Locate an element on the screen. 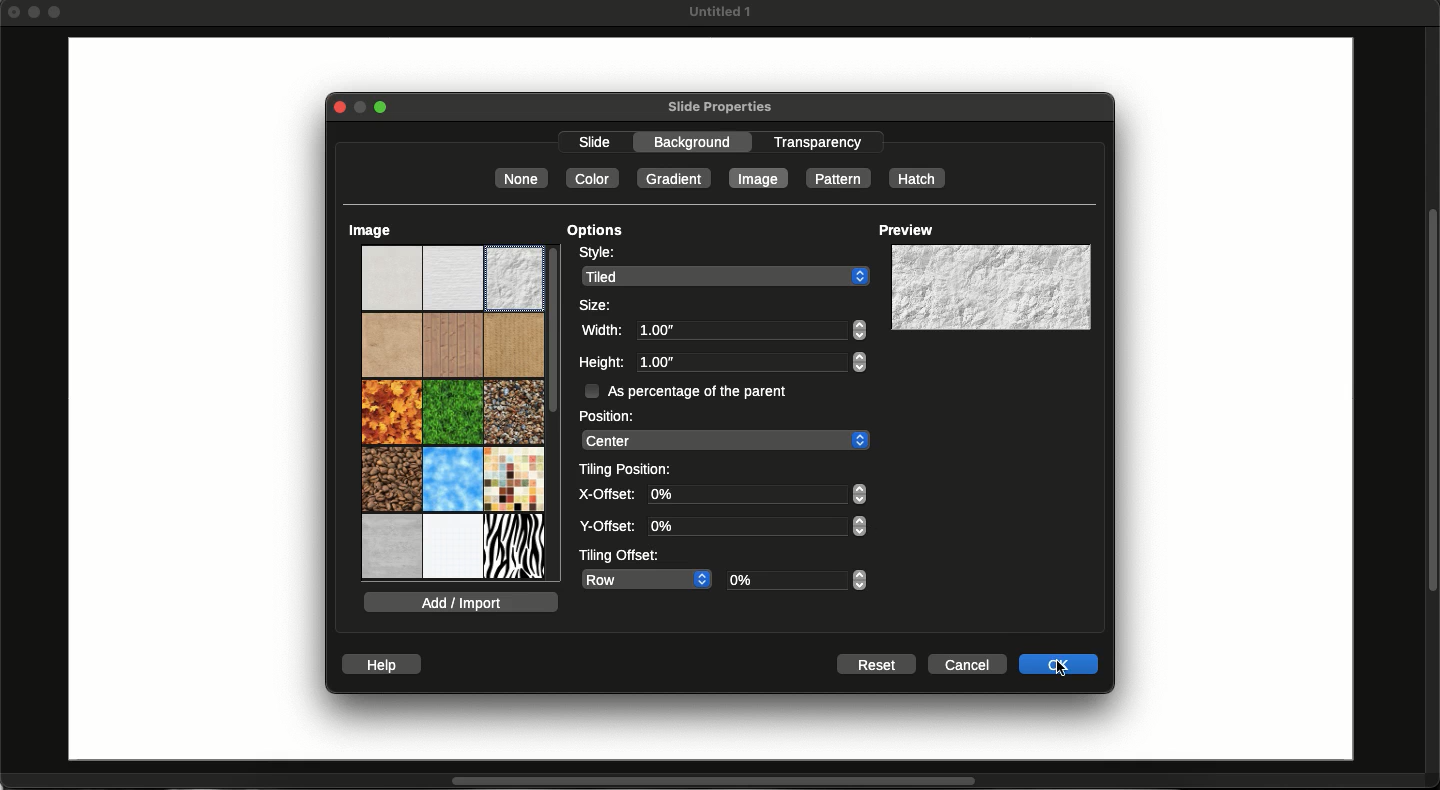 The height and width of the screenshot is (790, 1440). Row is located at coordinates (644, 579).